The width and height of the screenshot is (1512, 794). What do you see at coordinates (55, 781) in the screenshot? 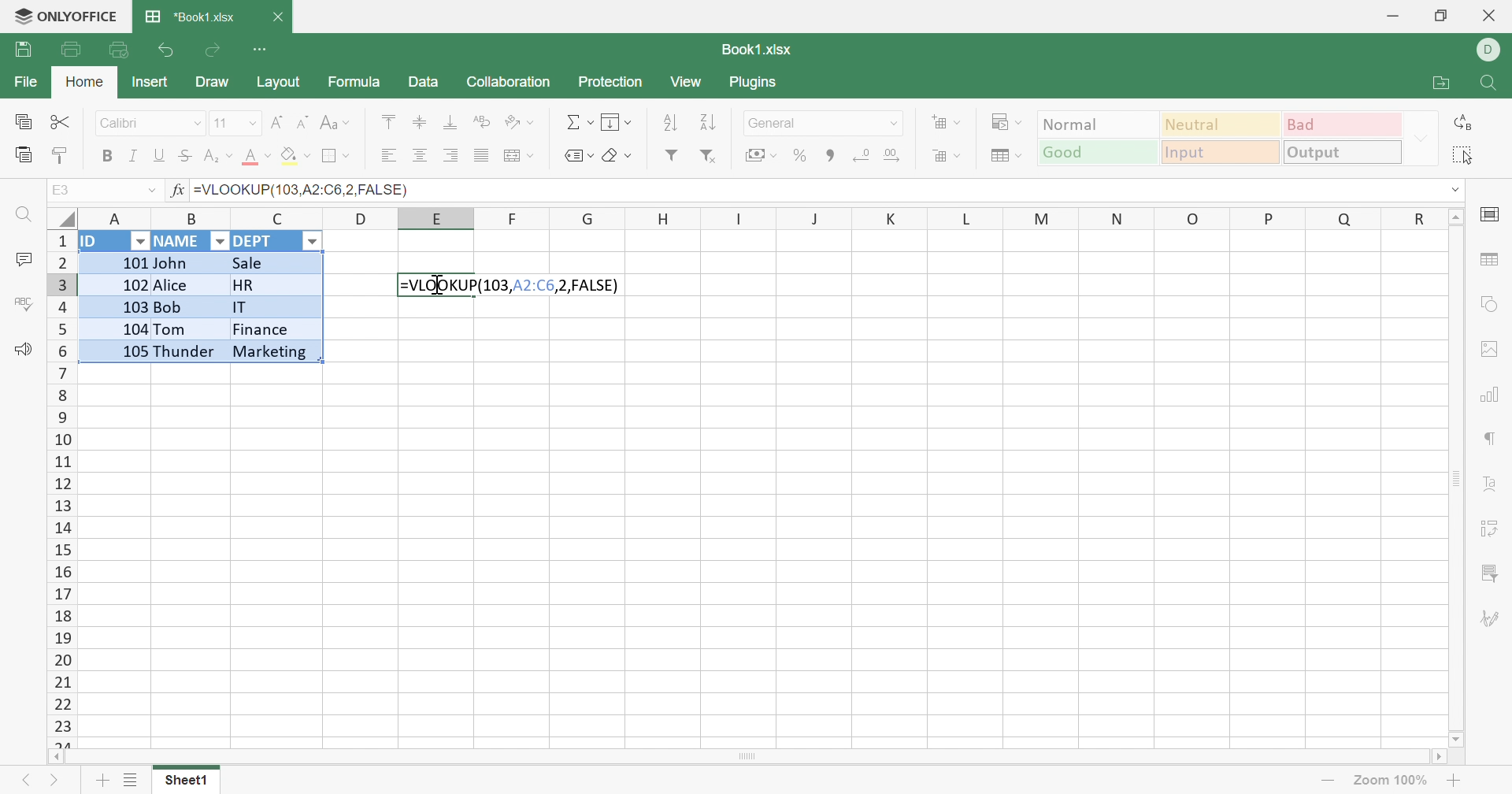
I see `Next` at bounding box center [55, 781].